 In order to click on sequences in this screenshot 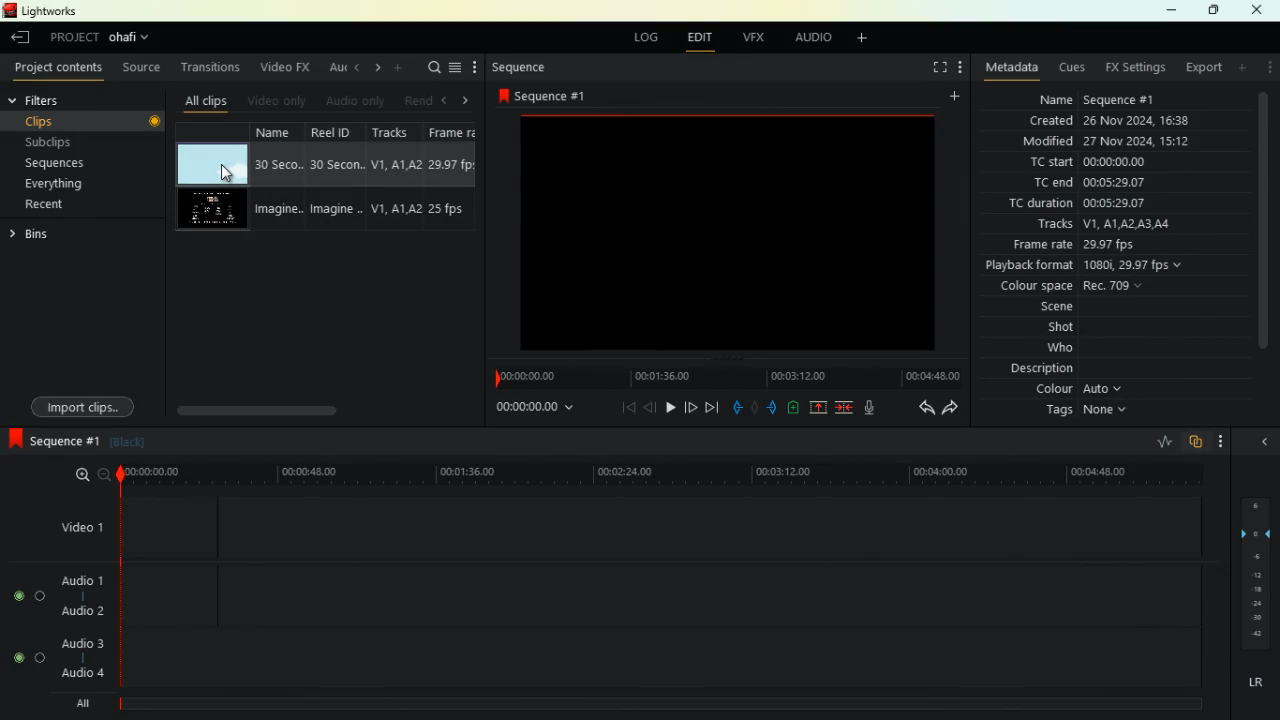, I will do `click(59, 162)`.